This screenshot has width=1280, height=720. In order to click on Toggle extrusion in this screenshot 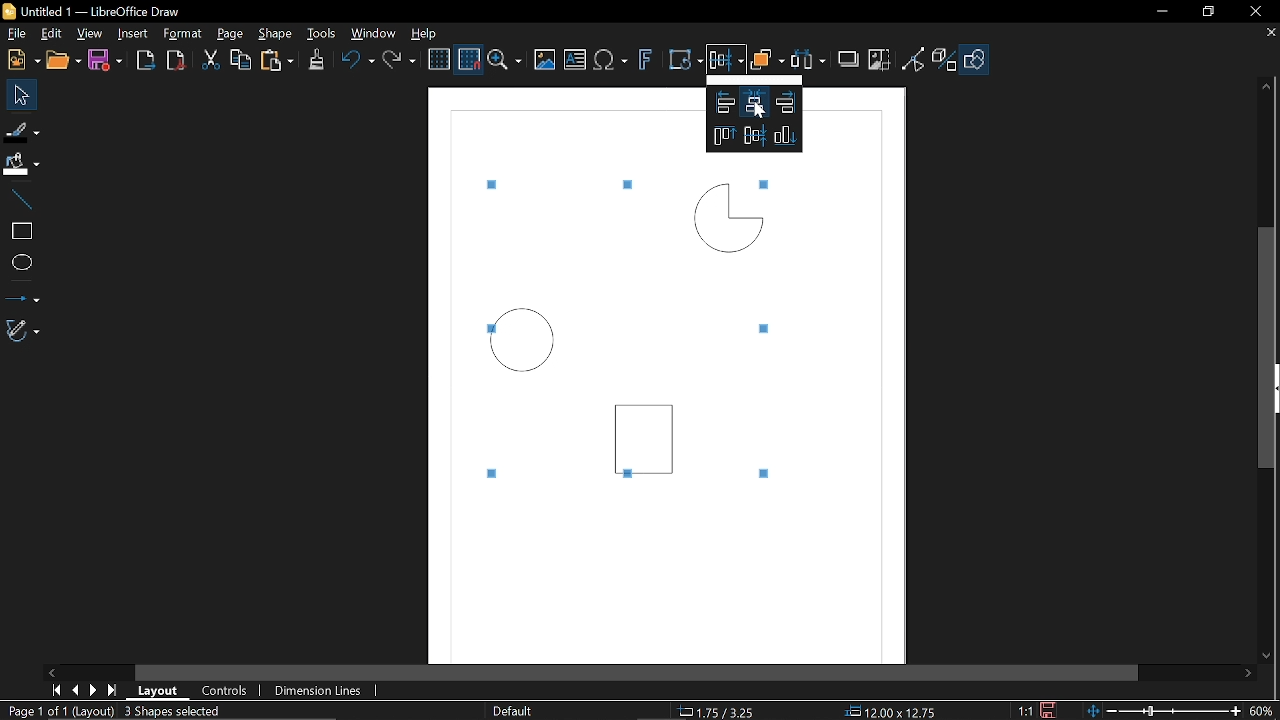, I will do `click(945, 60)`.